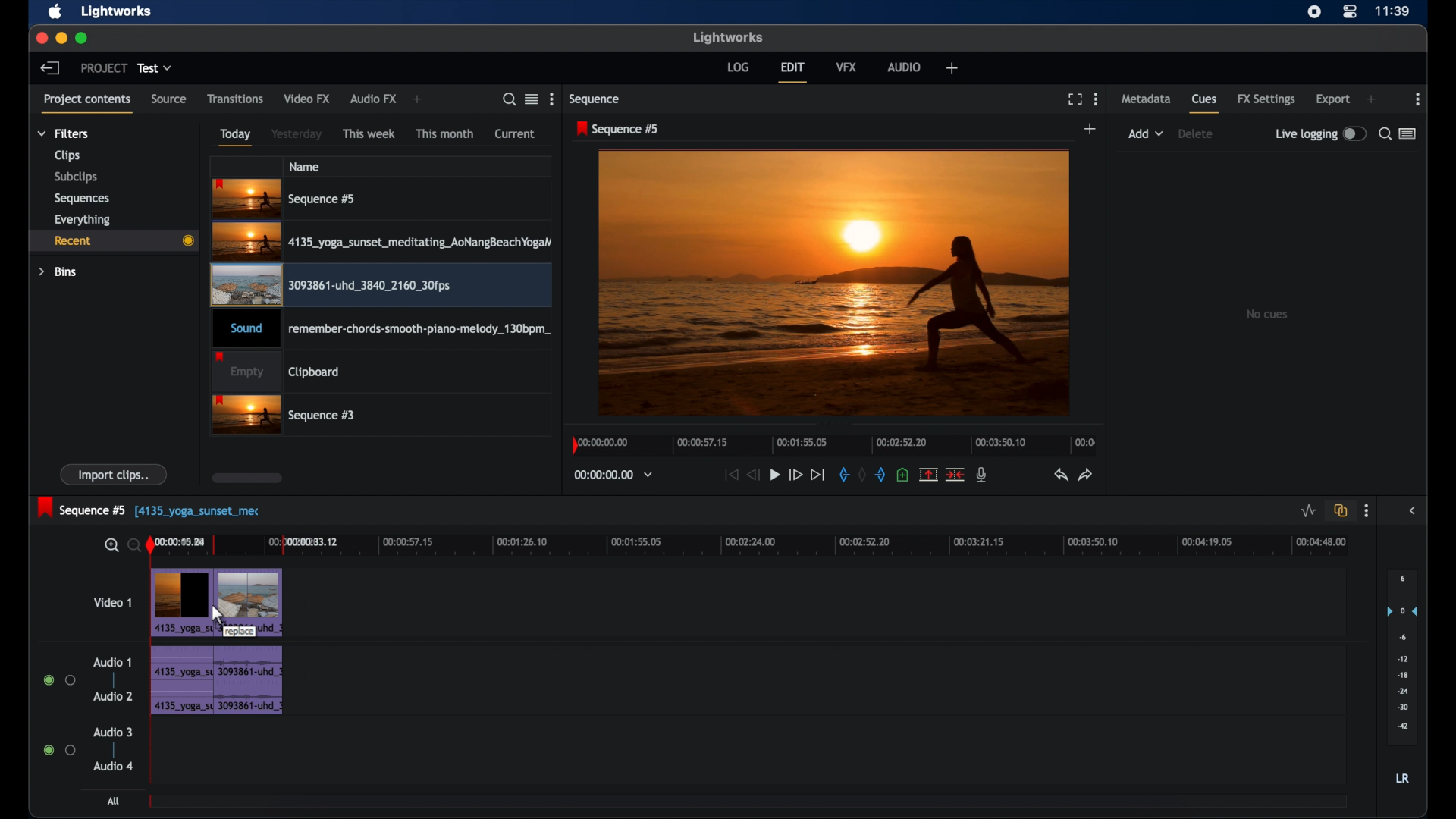  I want to click on source, so click(169, 99).